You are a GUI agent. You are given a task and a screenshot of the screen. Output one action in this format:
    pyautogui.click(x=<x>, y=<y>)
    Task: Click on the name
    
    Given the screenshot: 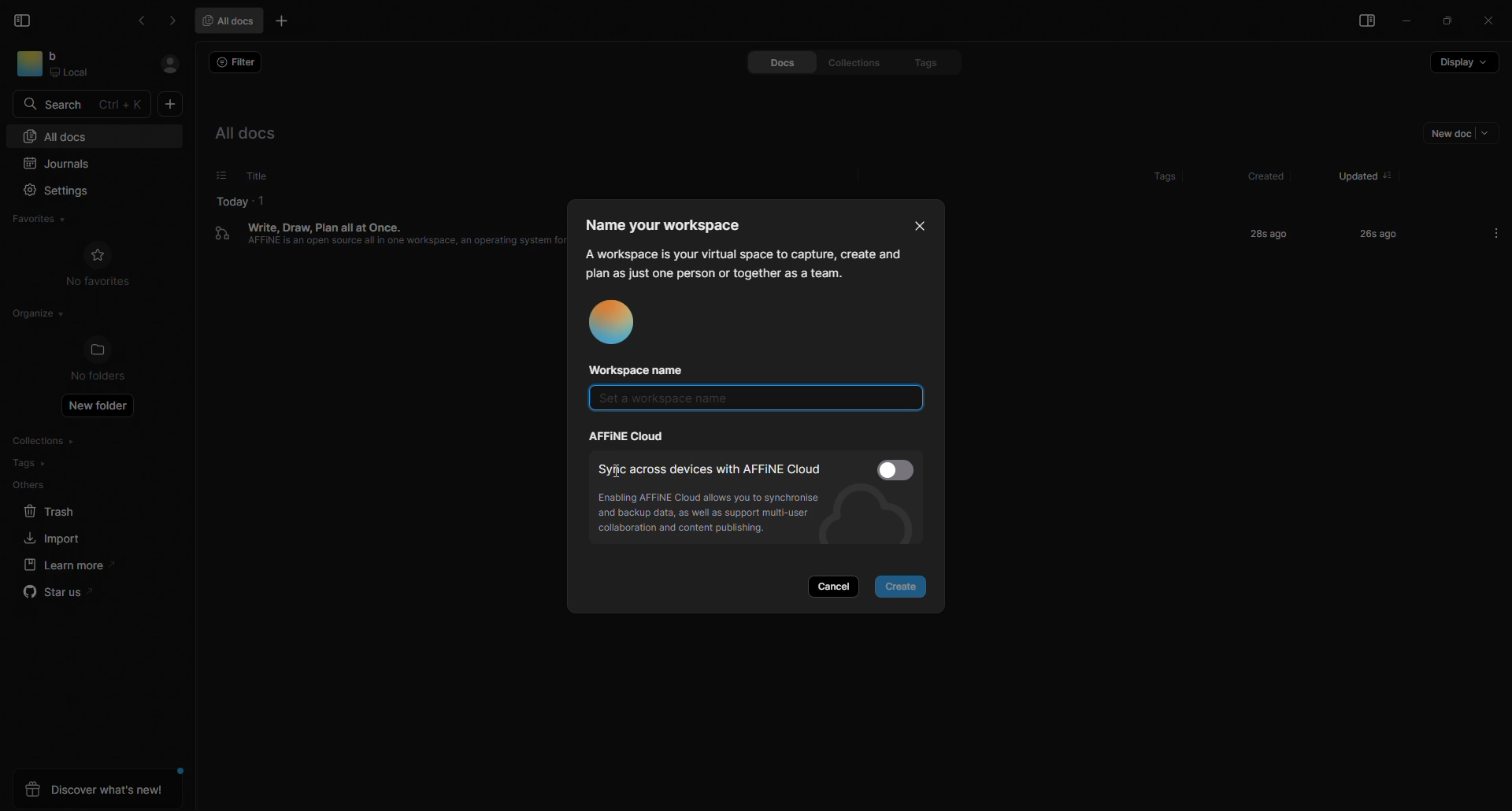 What is the action you would take?
    pyautogui.click(x=673, y=224)
    